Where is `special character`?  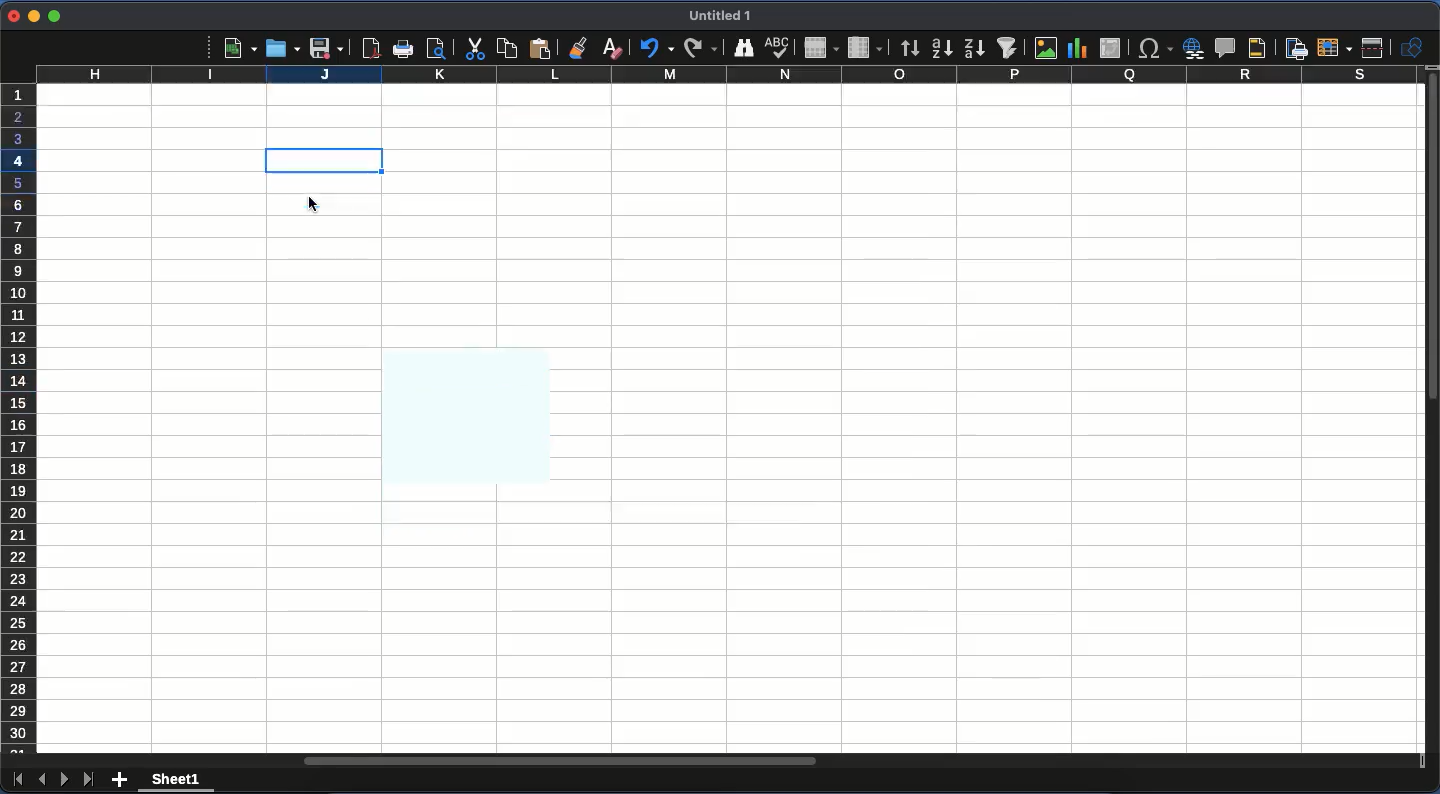
special character is located at coordinates (1151, 48).